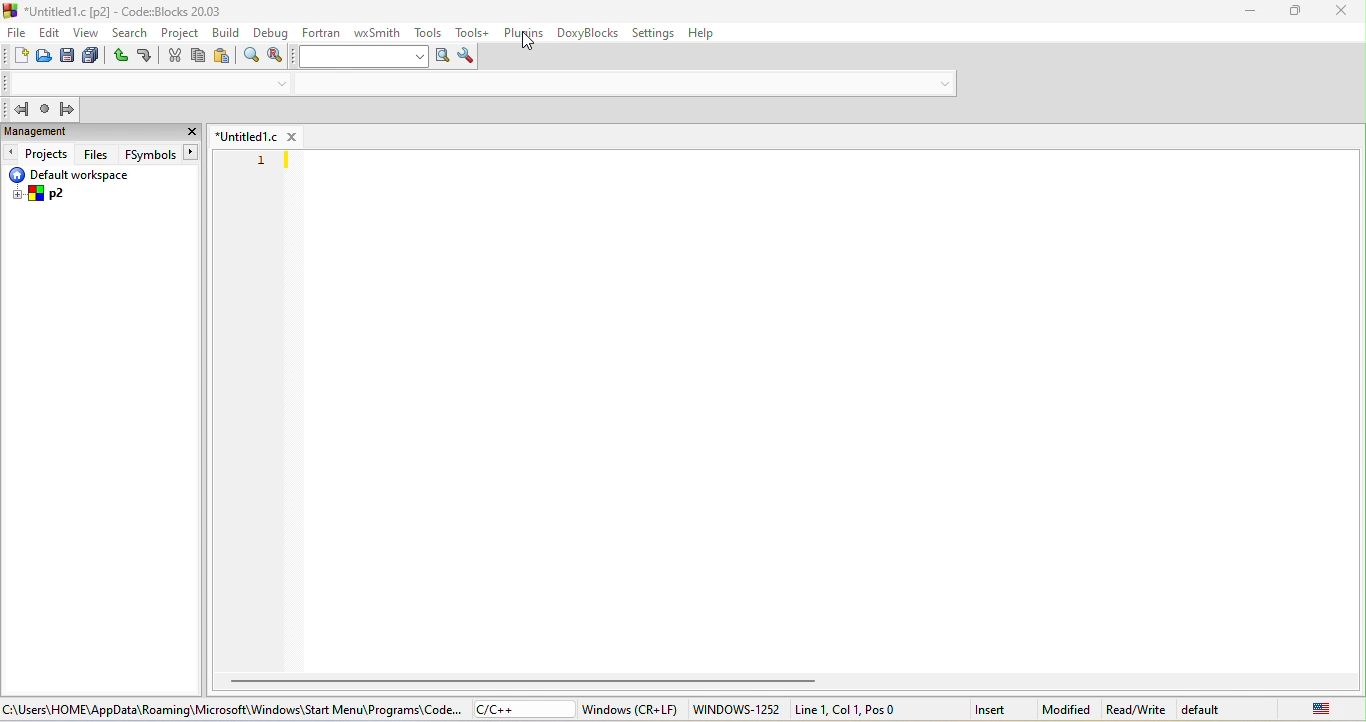  Describe the element at coordinates (472, 34) in the screenshot. I see `tools++` at that location.